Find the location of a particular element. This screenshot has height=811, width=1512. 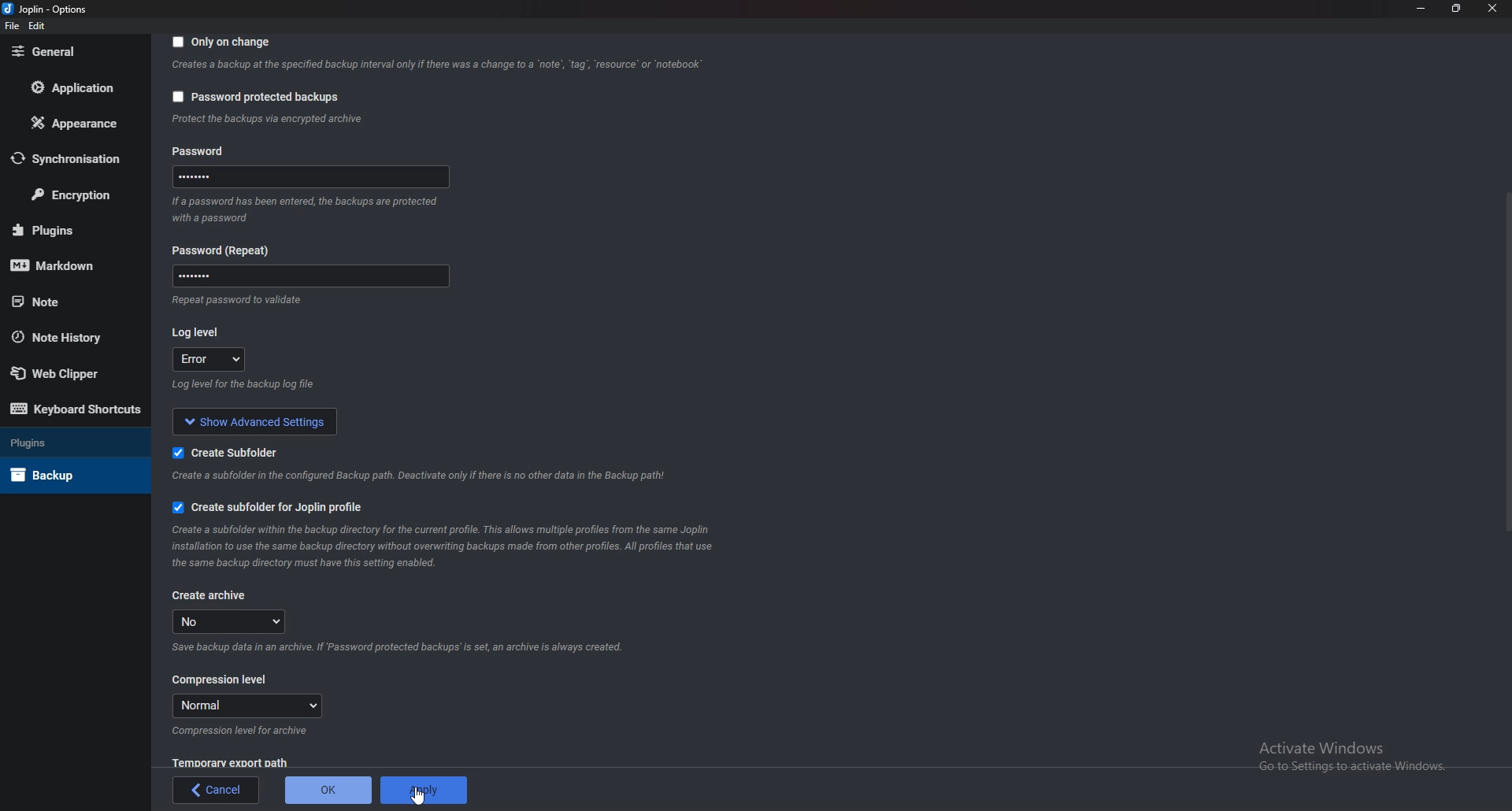

Note history is located at coordinates (69, 336).